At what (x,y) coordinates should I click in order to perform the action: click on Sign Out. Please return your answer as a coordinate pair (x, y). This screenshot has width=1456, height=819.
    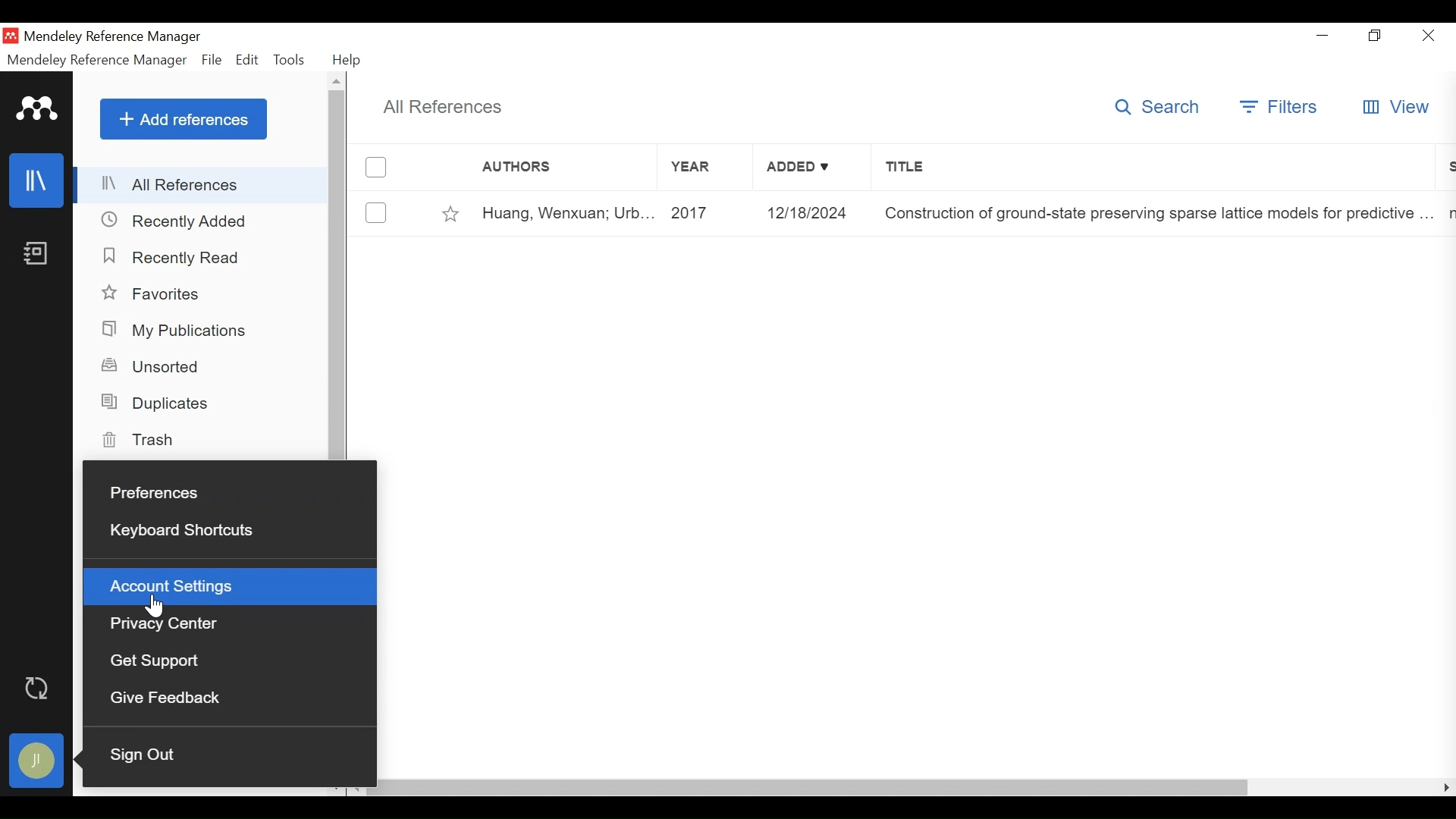
    Looking at the image, I should click on (231, 754).